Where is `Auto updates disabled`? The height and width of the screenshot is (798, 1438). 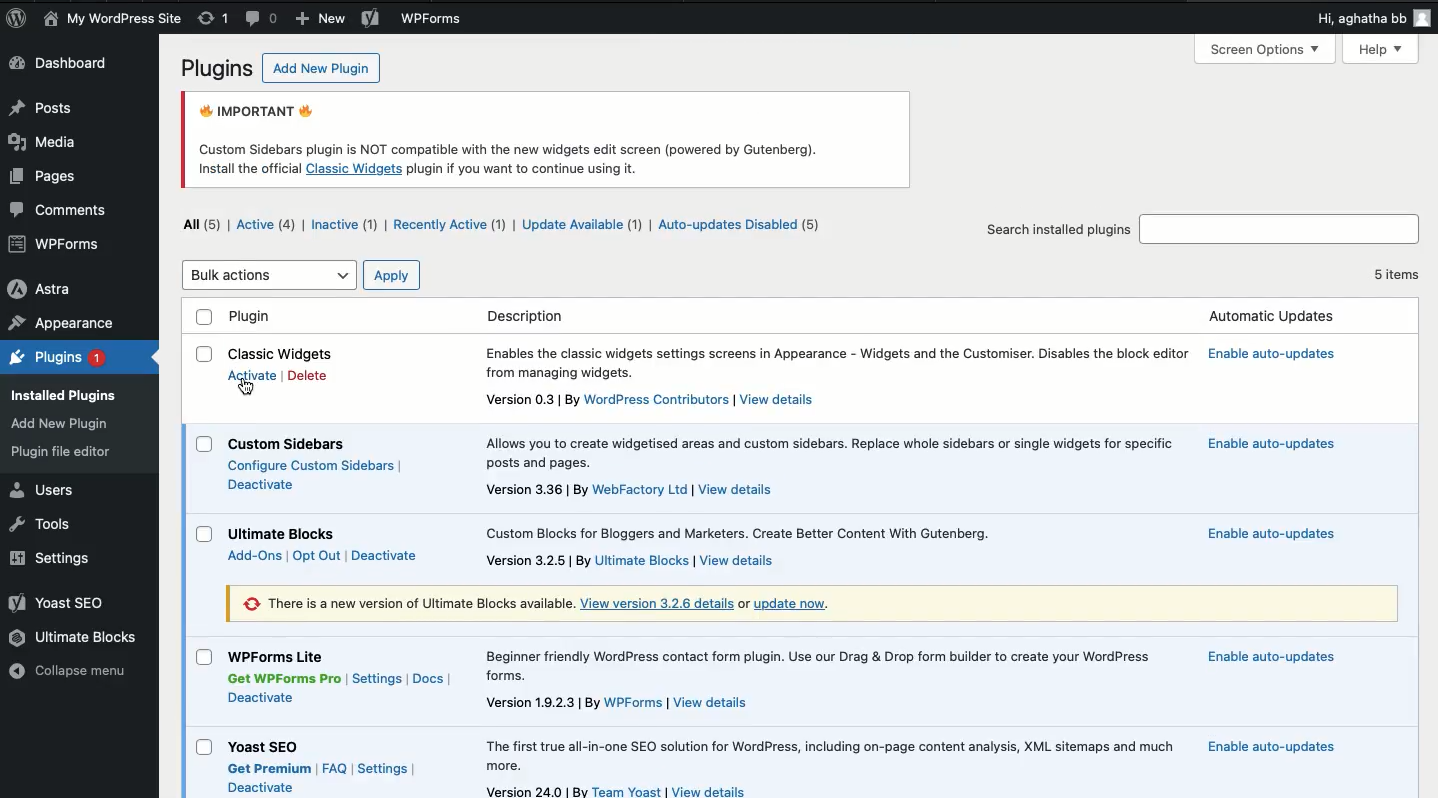
Auto updates disabled is located at coordinates (741, 226).